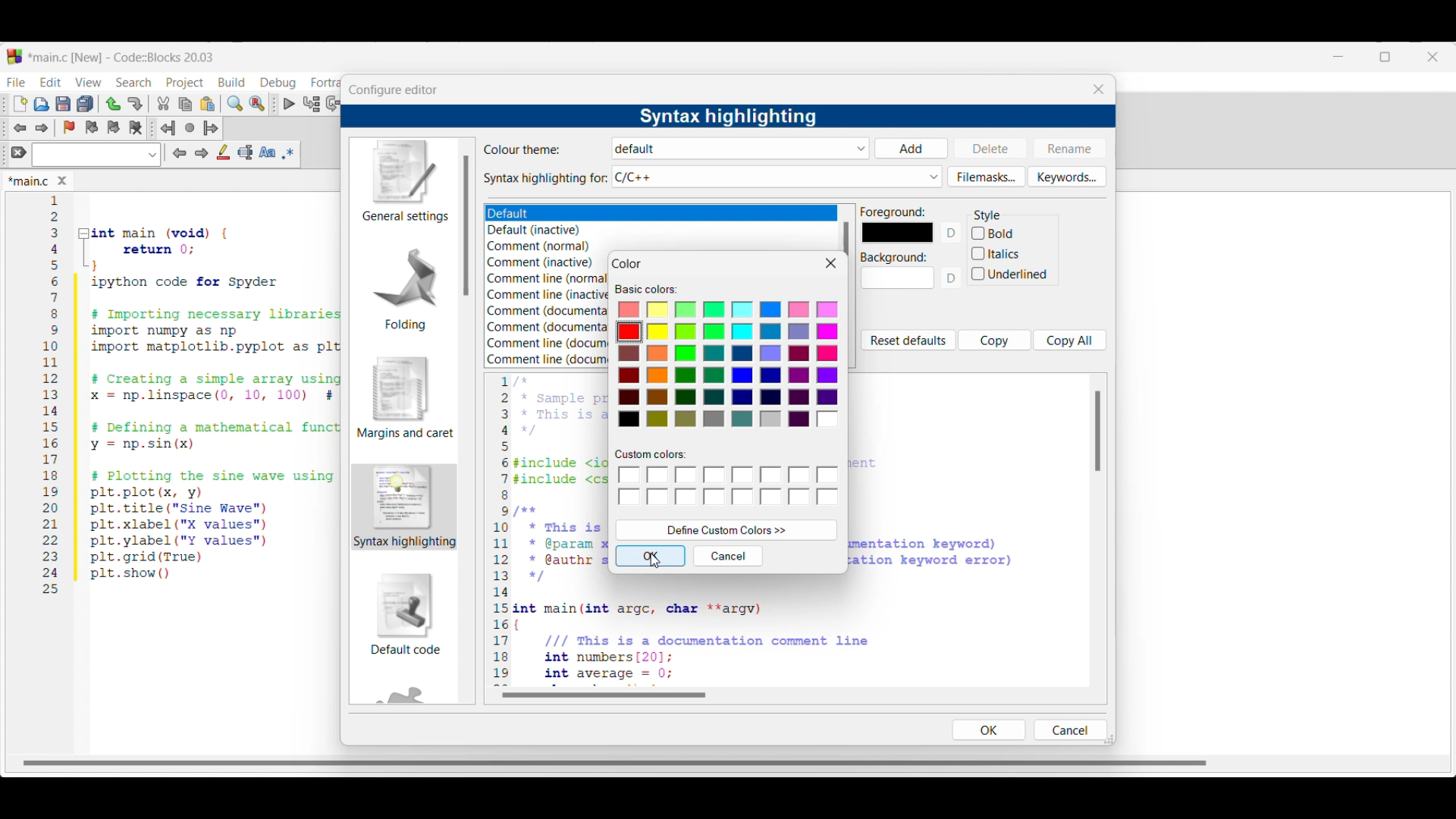  I want to click on Search menu, so click(133, 83).